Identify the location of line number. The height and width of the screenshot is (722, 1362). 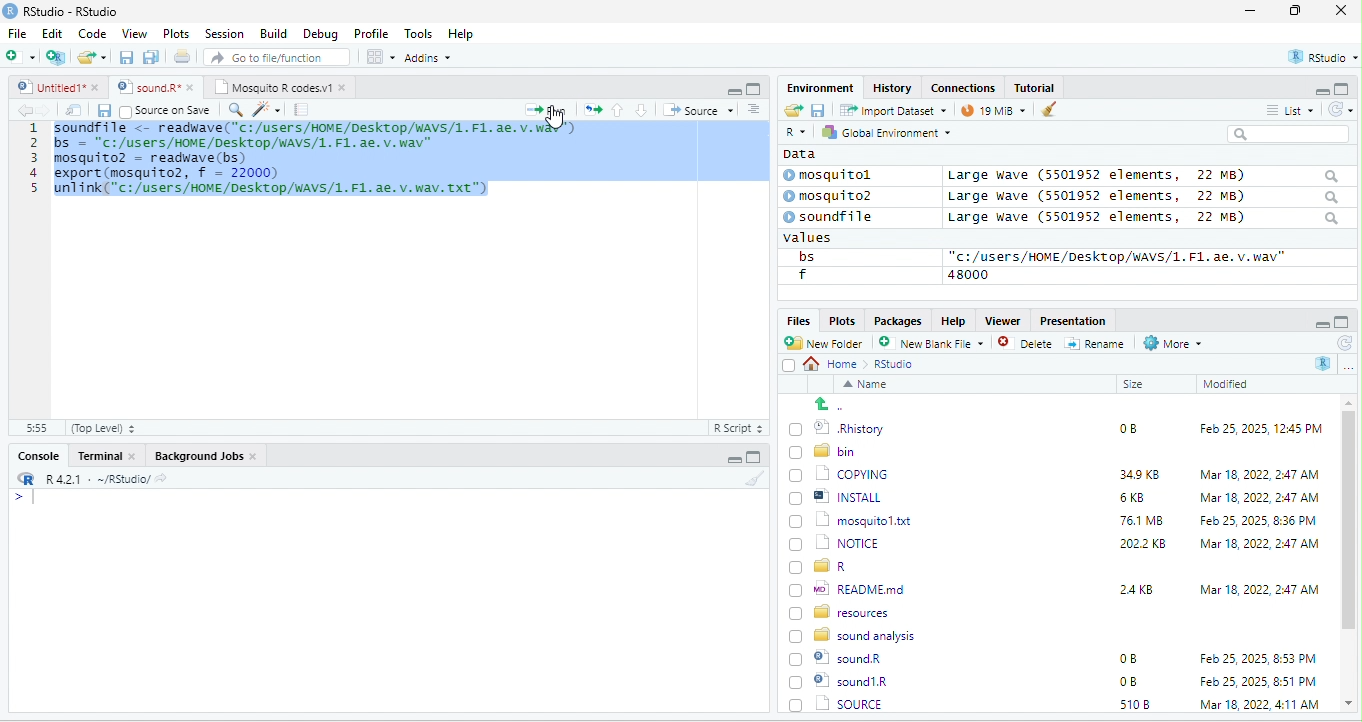
(40, 268).